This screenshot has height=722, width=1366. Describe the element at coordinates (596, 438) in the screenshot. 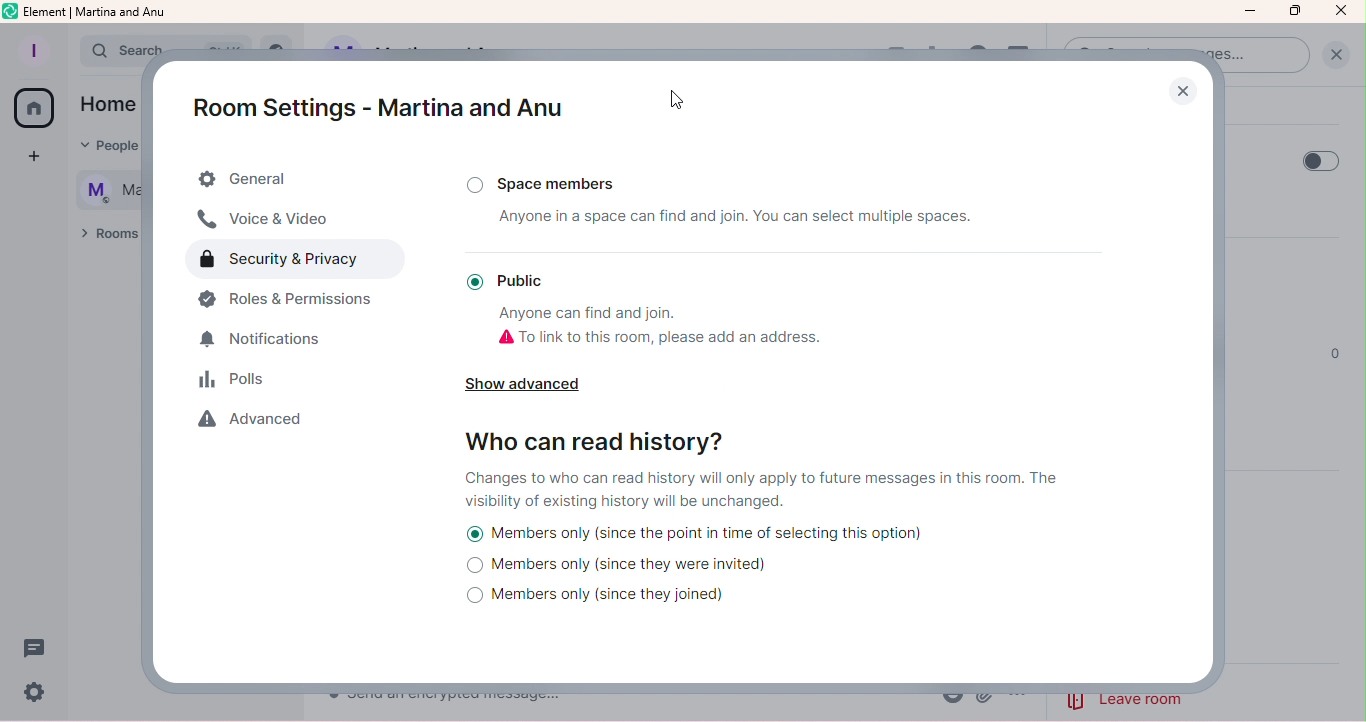

I see `Who can read history` at that location.